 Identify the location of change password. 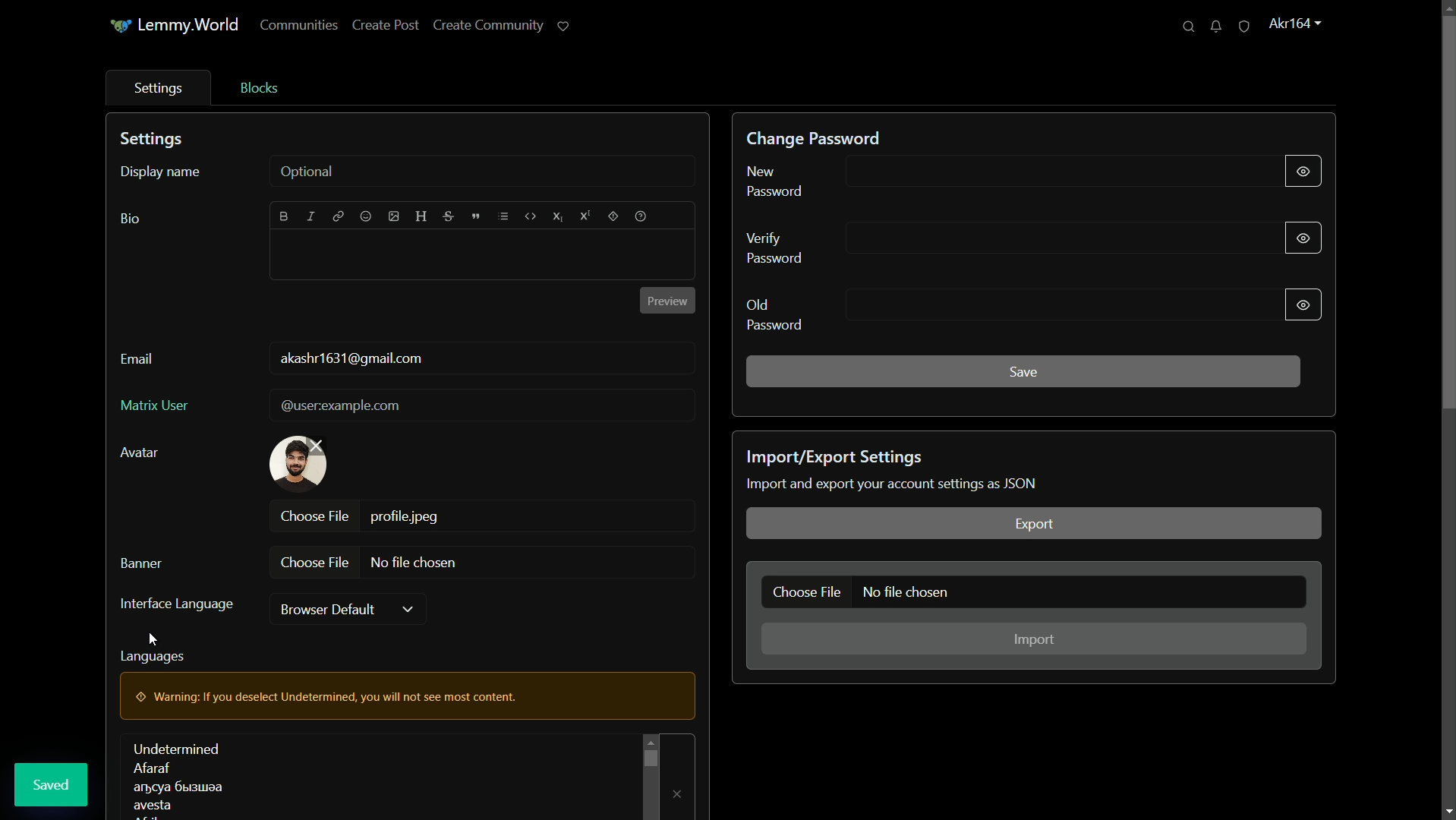
(816, 138).